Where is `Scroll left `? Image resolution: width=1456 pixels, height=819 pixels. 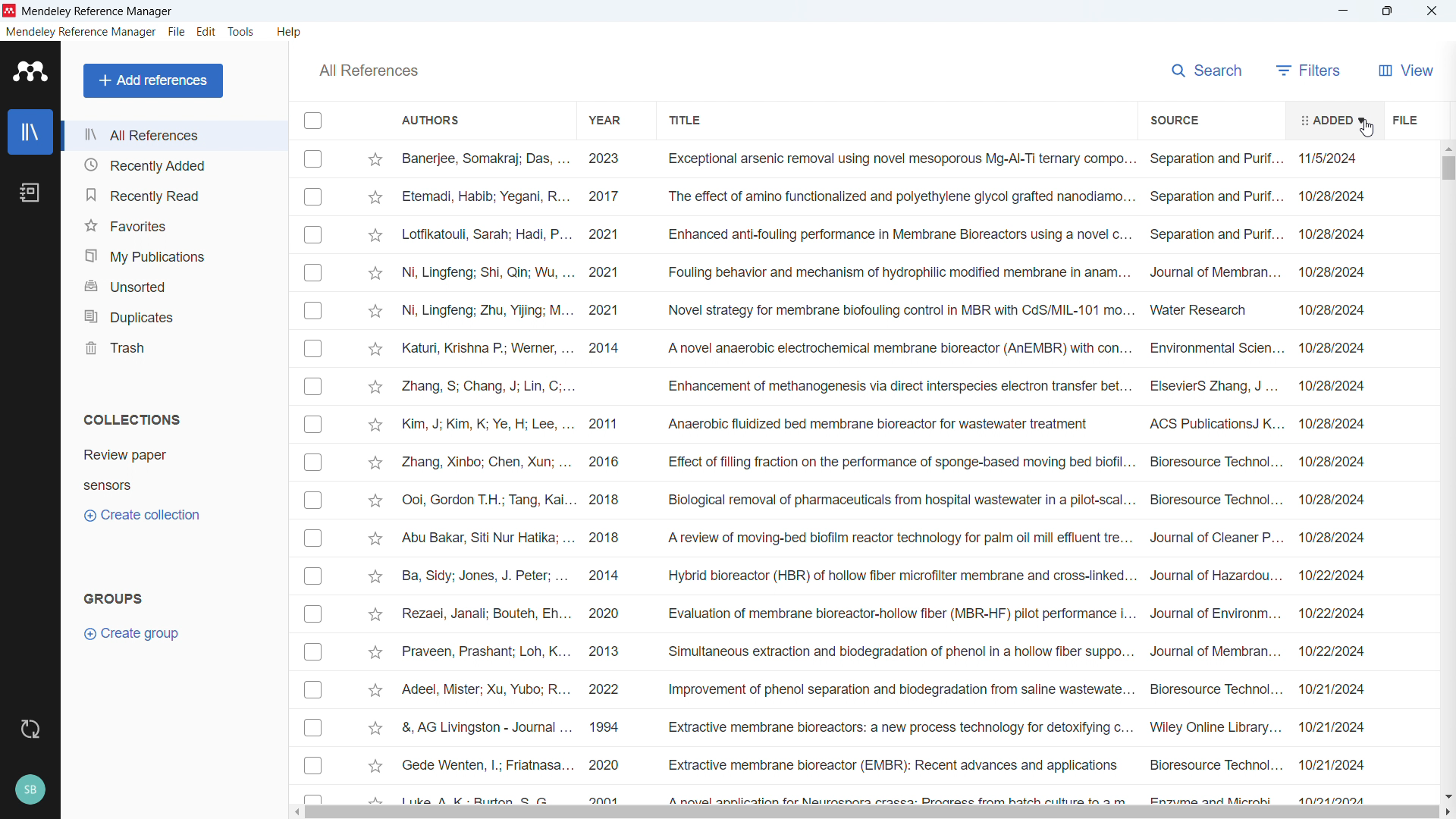
Scroll left  is located at coordinates (296, 812).